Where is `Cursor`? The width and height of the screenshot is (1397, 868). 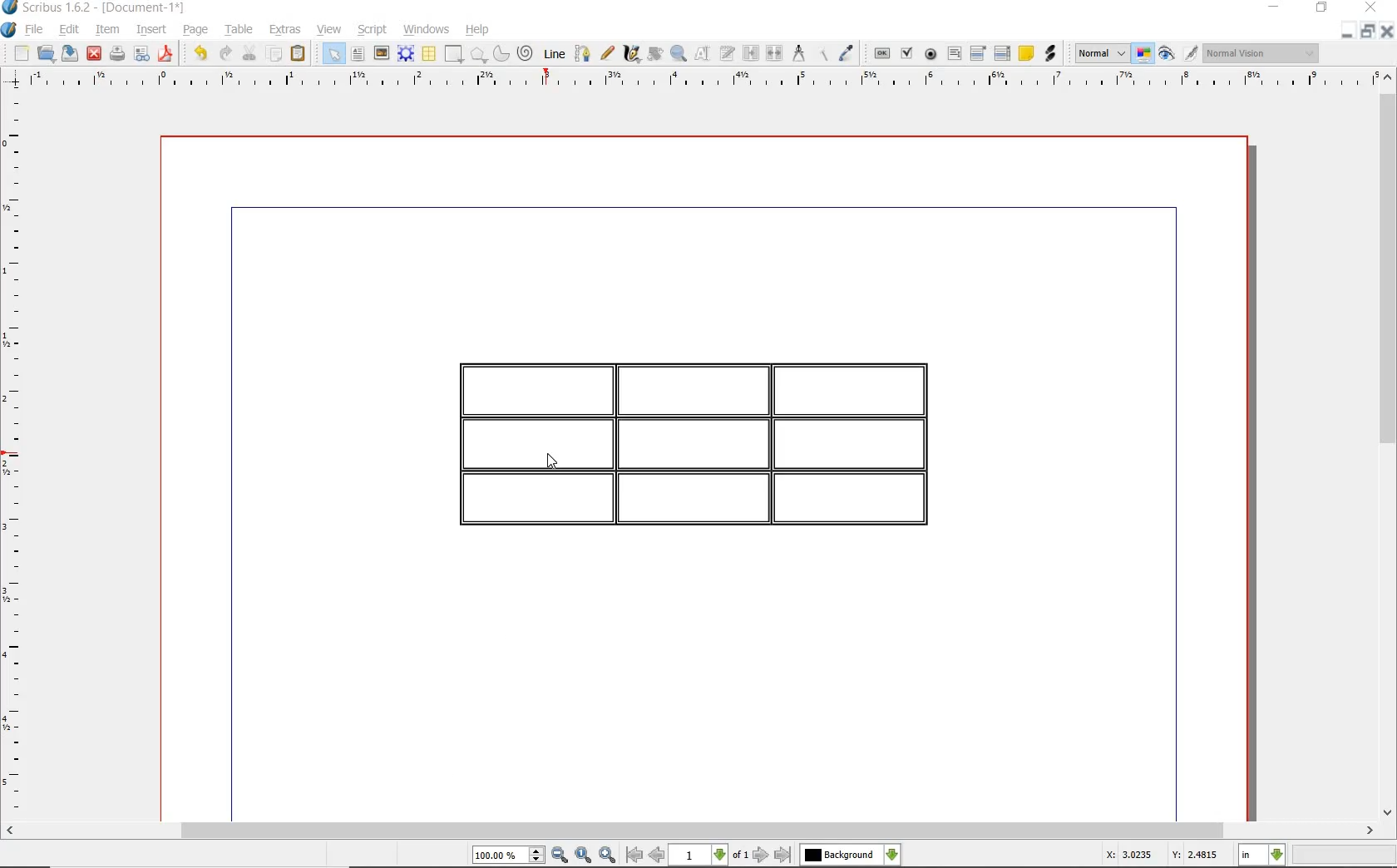 Cursor is located at coordinates (552, 460).